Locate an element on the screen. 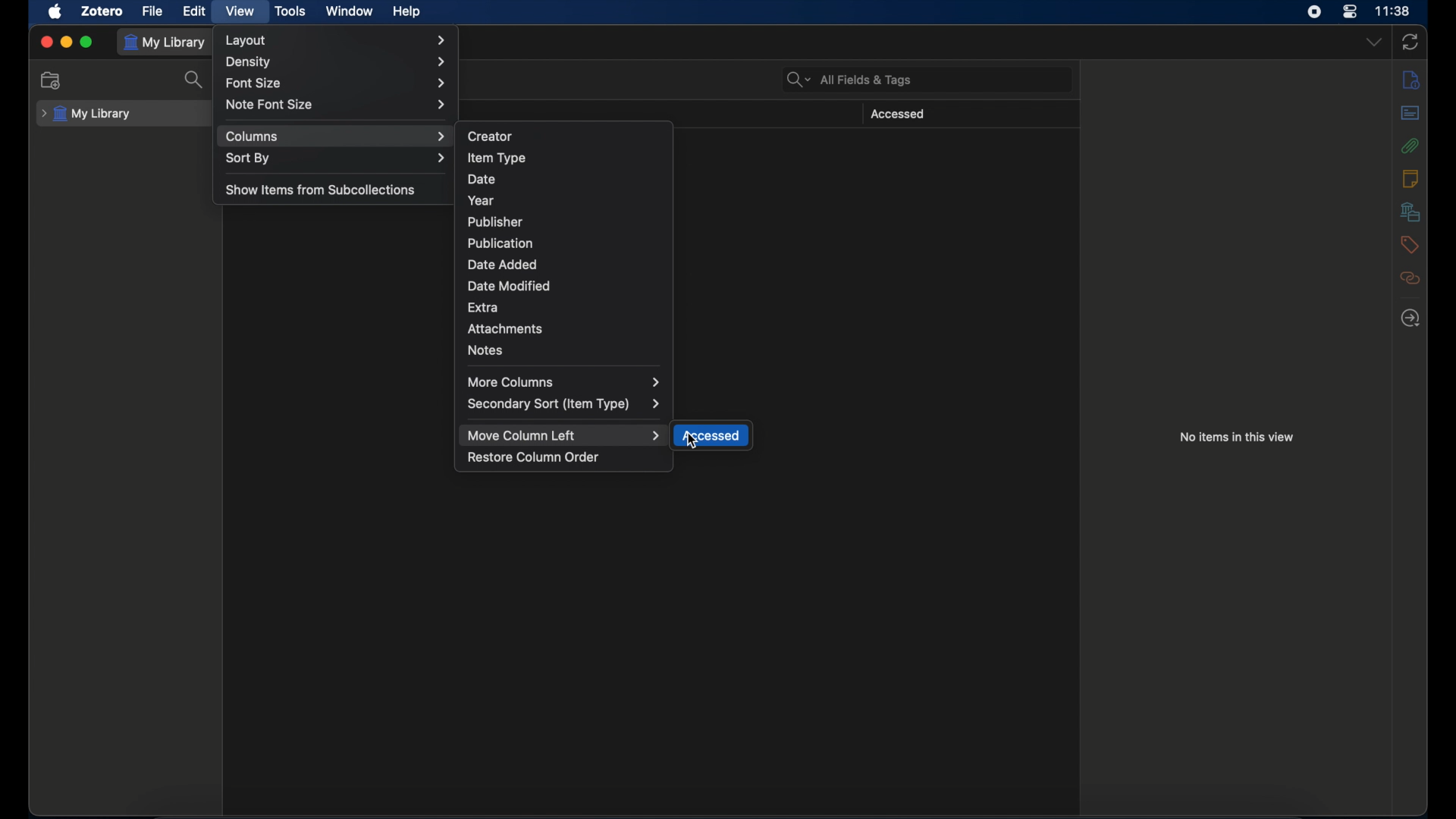  show items from subcollections is located at coordinates (320, 190).